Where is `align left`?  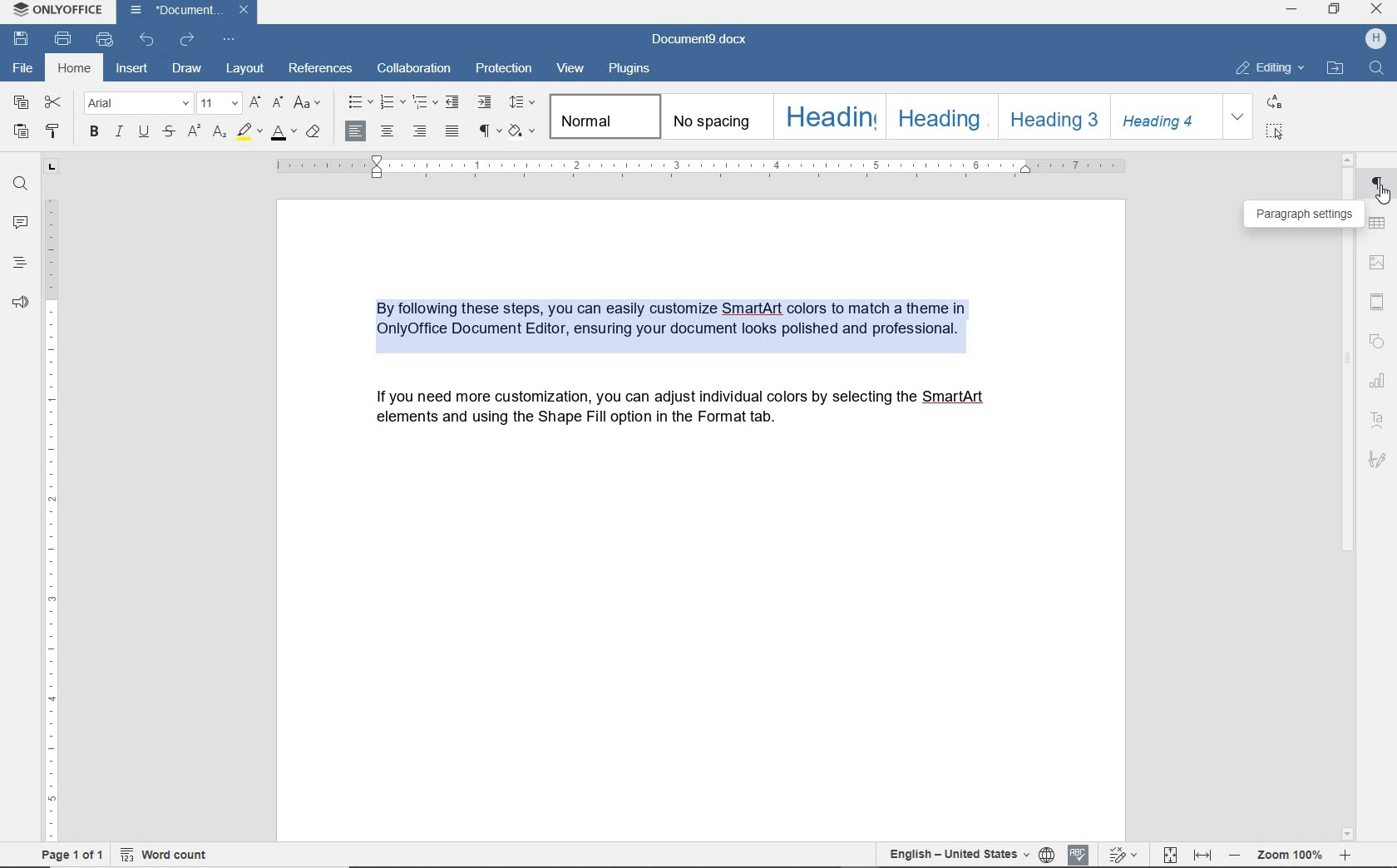 align left is located at coordinates (357, 130).